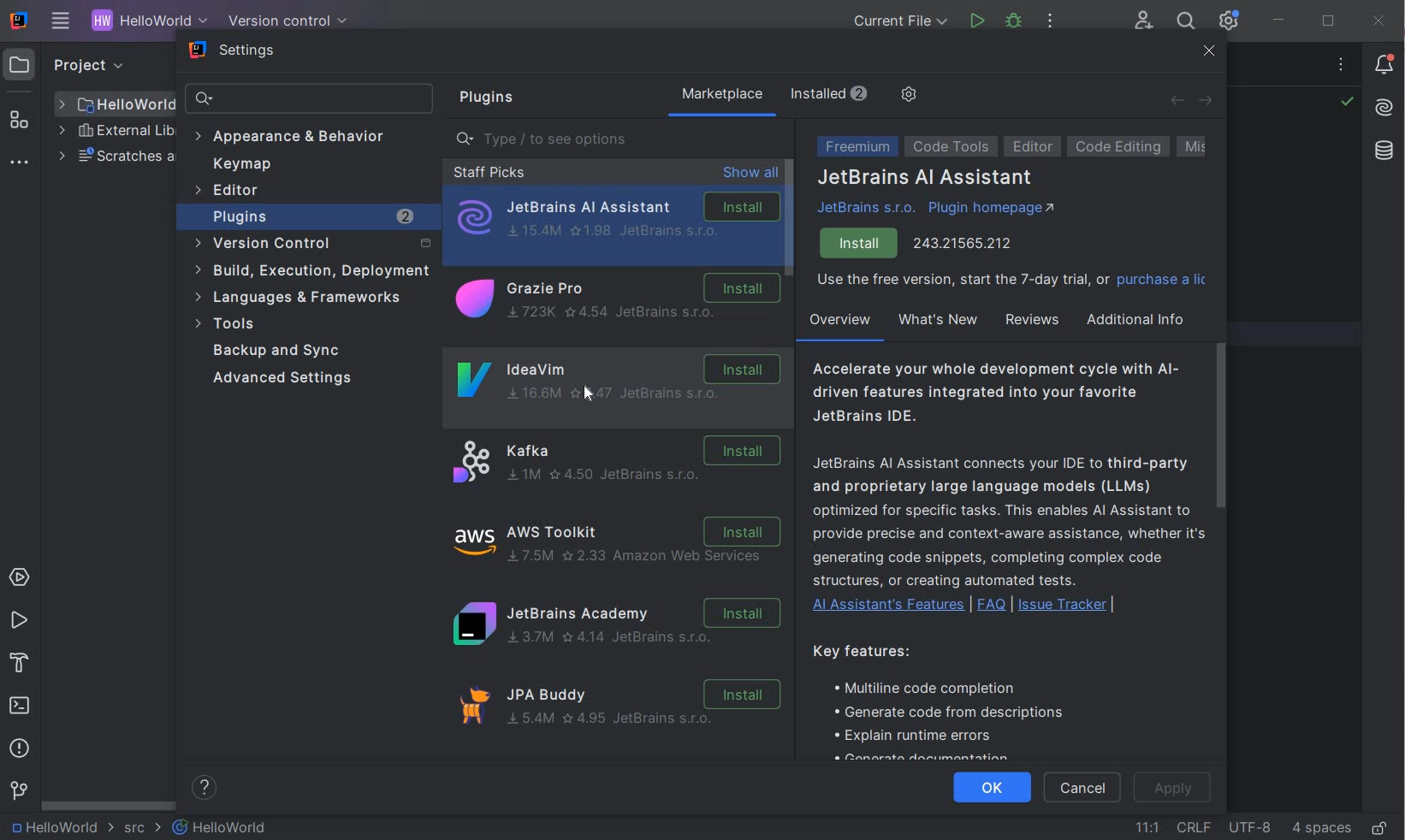 This screenshot has width=1405, height=840. Describe the element at coordinates (60, 828) in the screenshot. I see `PROJECT NAME` at that location.